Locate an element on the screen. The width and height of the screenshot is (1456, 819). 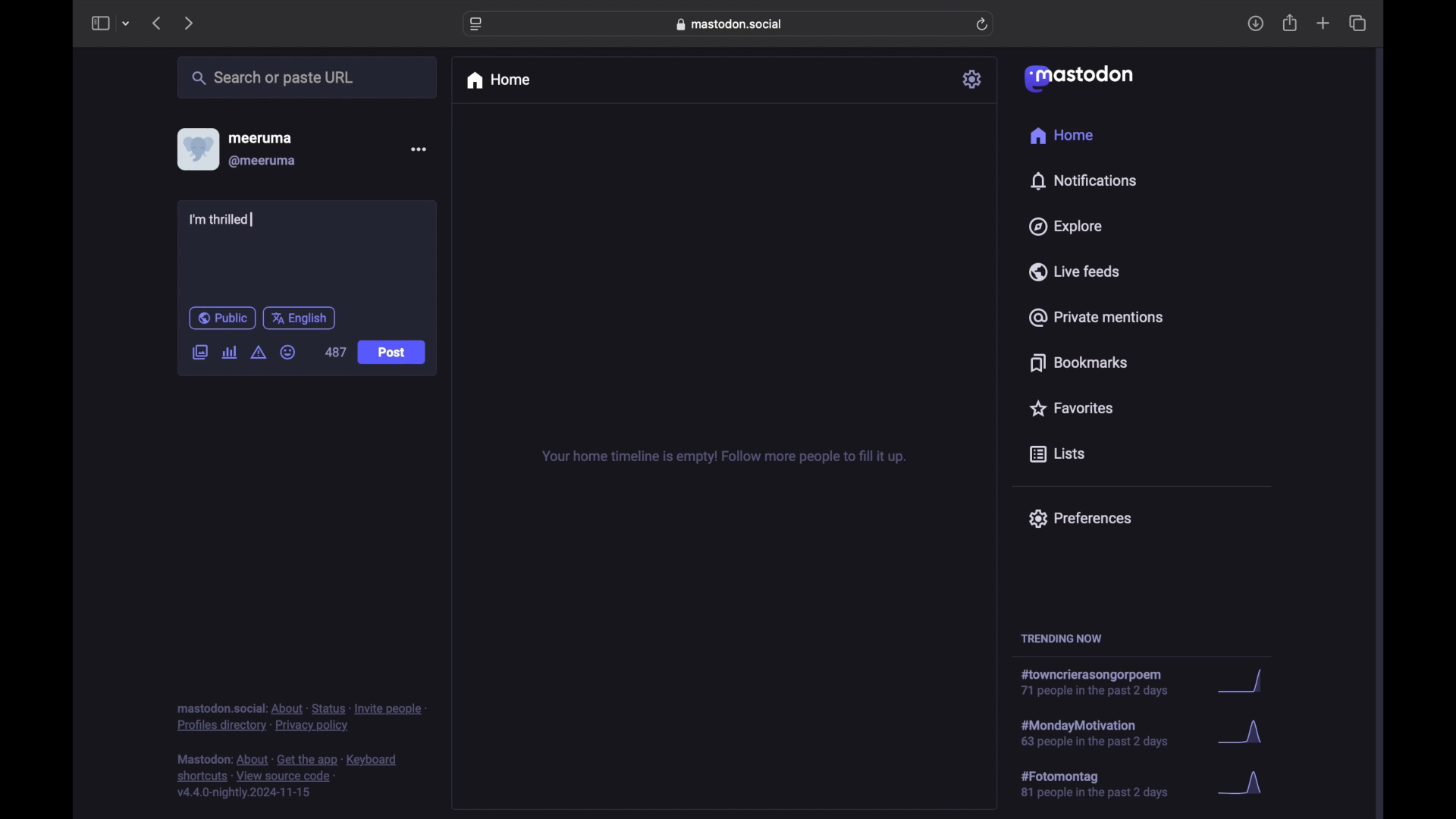
@meeruma is located at coordinates (264, 162).